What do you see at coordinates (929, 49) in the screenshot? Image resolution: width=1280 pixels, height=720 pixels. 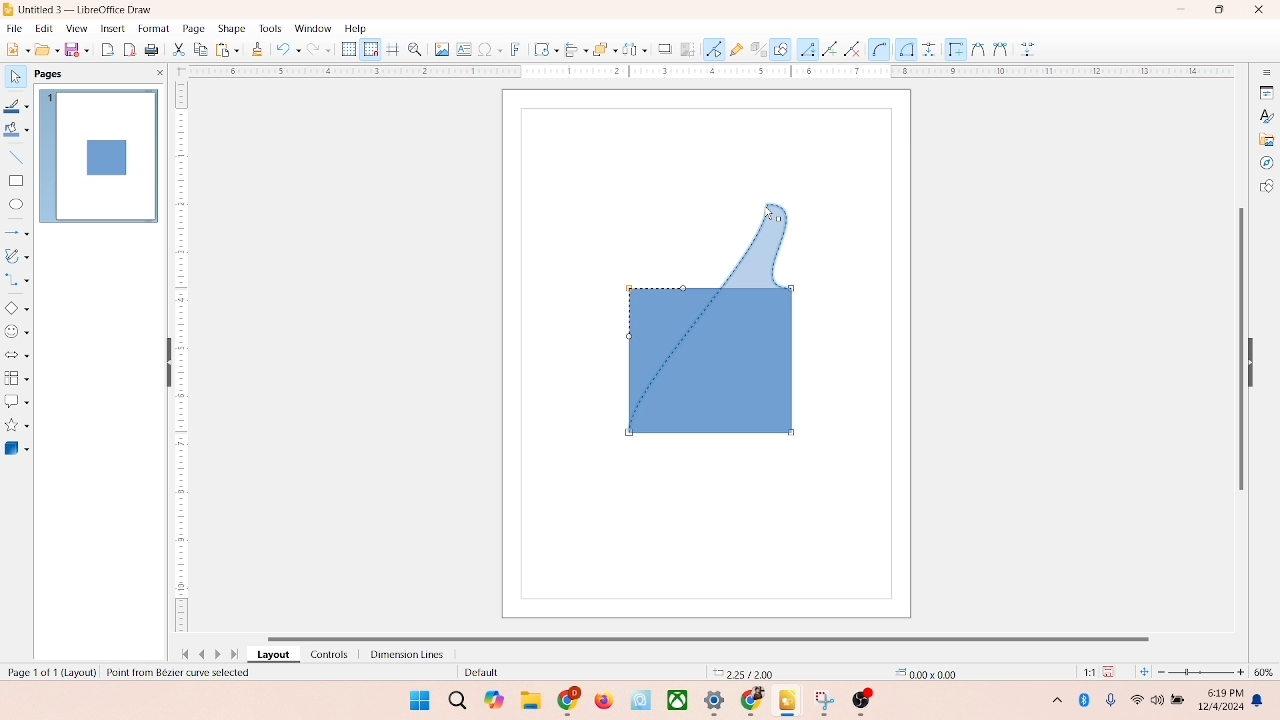 I see `Dimension line tool` at bounding box center [929, 49].